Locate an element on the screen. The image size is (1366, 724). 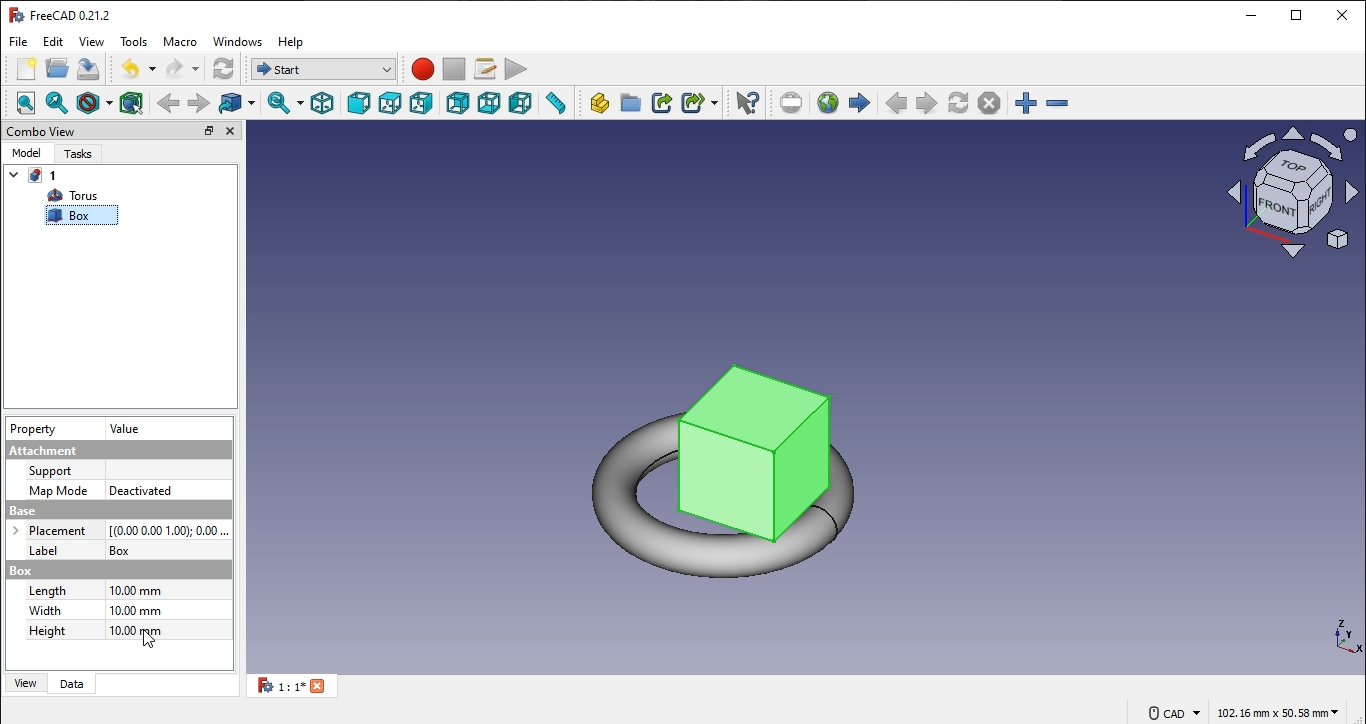
 FreeCAD 0.21.2 is located at coordinates (61, 13).